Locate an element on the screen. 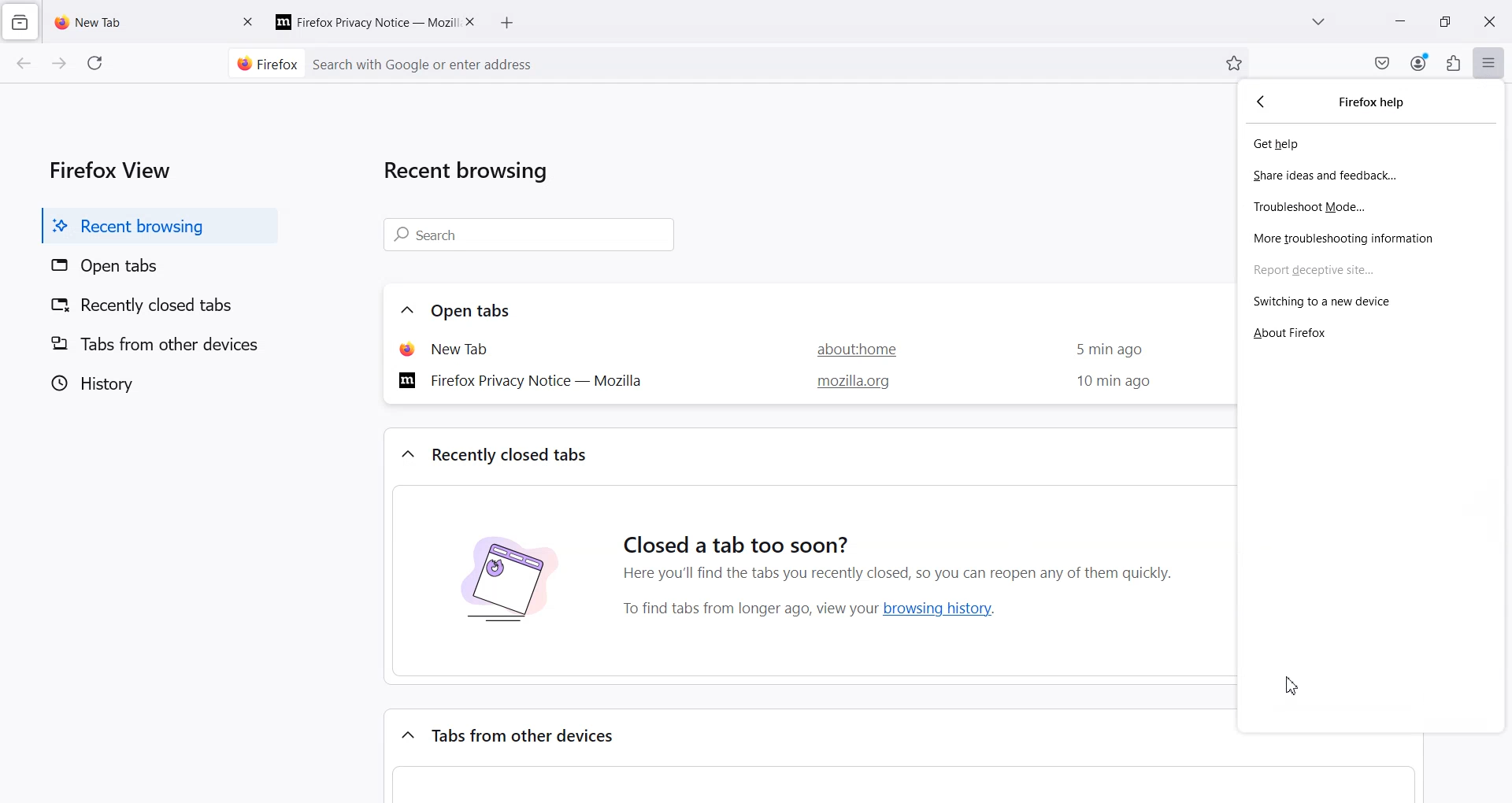 The width and height of the screenshot is (1512, 803). Open tabs is located at coordinates (475, 310).